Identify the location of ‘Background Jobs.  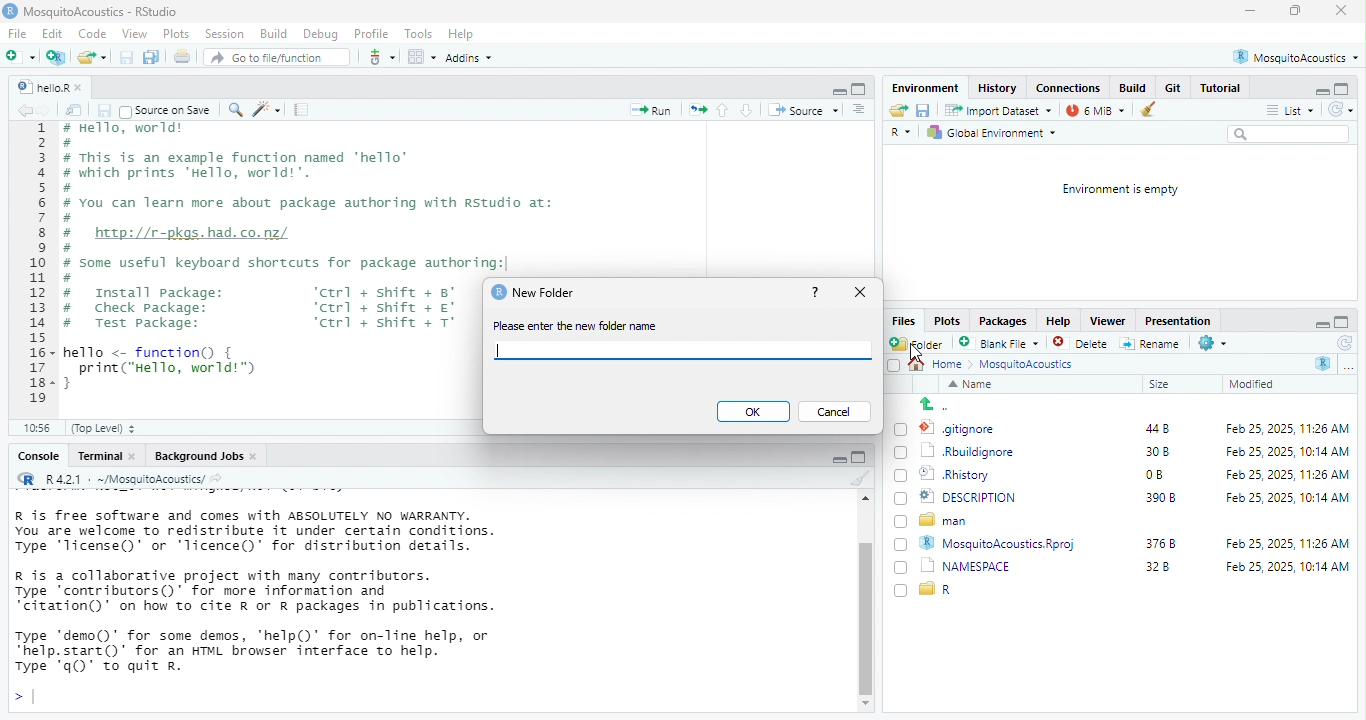
(198, 456).